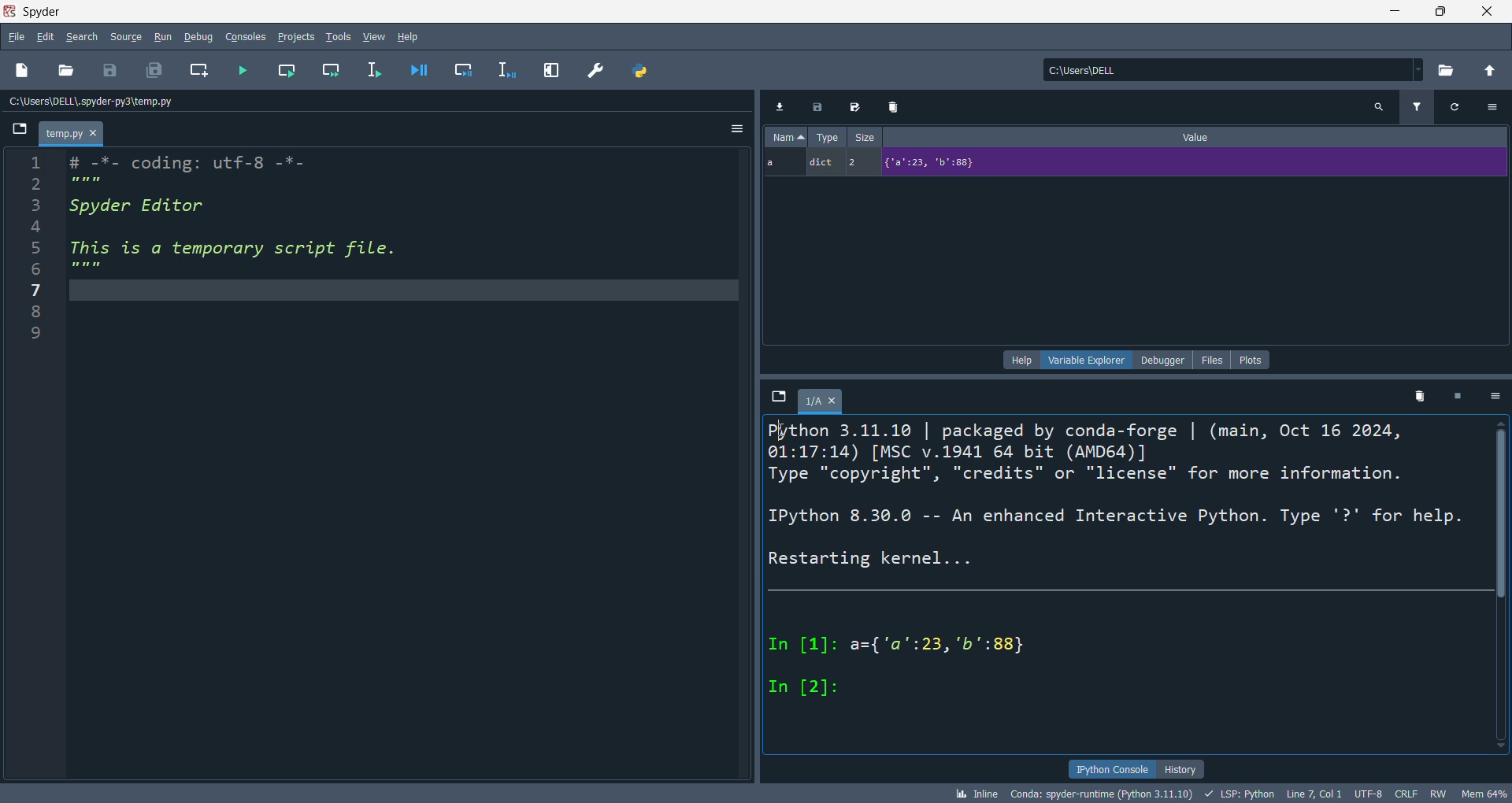  Describe the element at coordinates (1386, 12) in the screenshot. I see `minimize` at that location.